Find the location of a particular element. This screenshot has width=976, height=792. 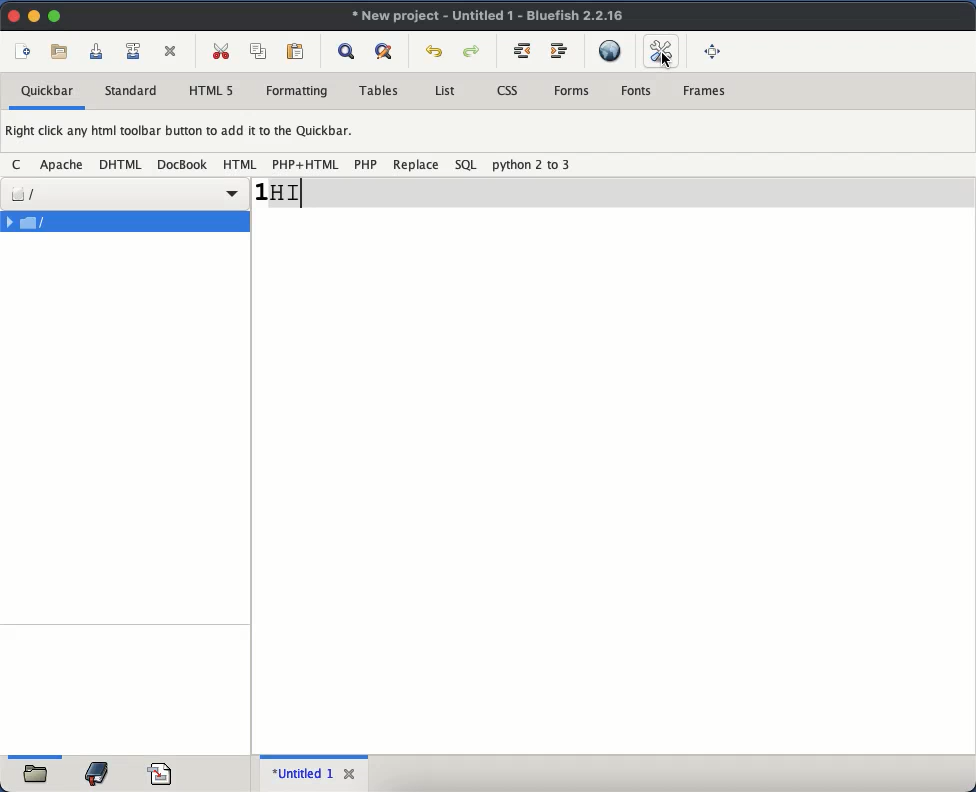

cut is located at coordinates (172, 52).